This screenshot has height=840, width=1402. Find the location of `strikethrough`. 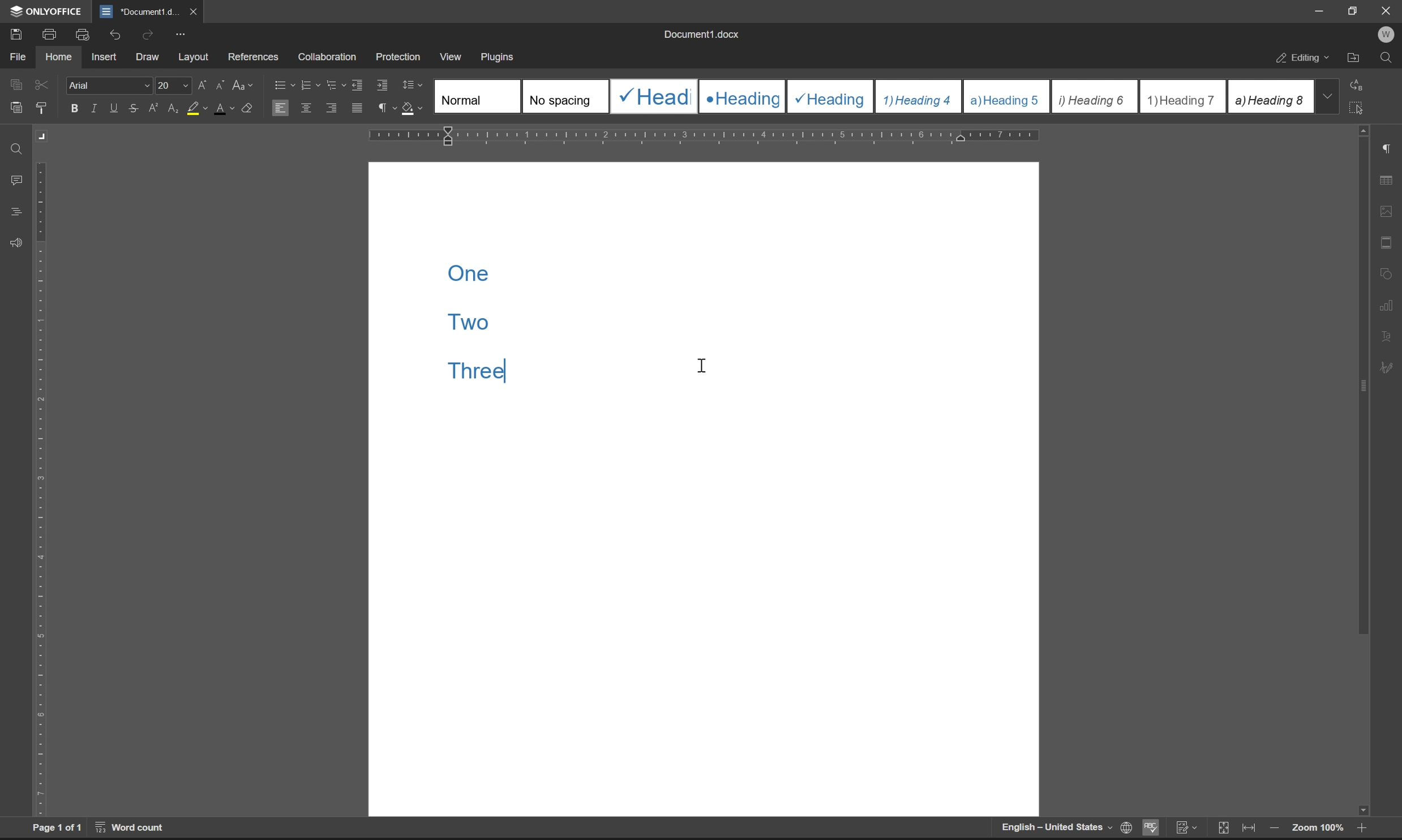

strikethrough is located at coordinates (135, 108).